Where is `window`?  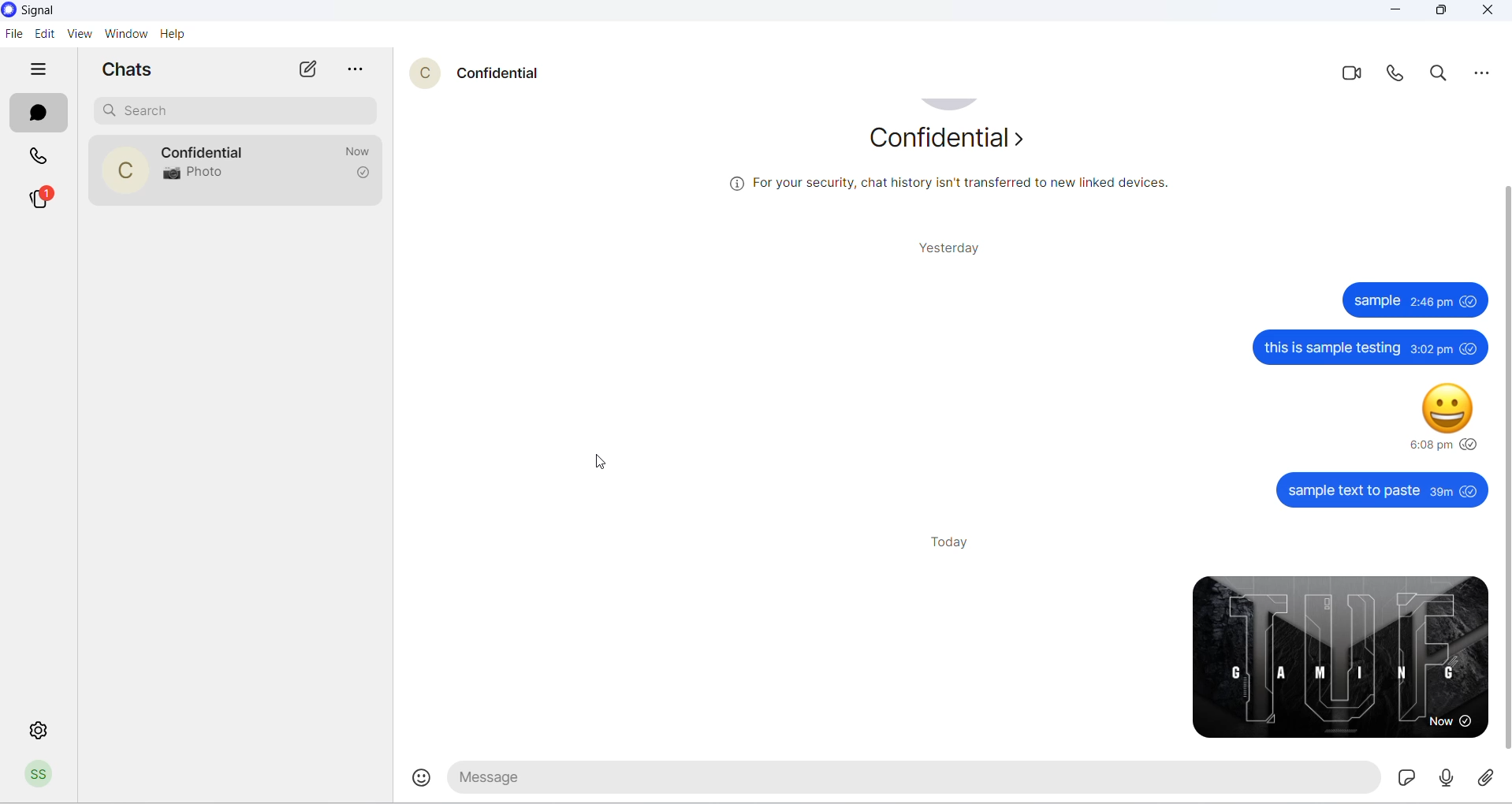 window is located at coordinates (125, 35).